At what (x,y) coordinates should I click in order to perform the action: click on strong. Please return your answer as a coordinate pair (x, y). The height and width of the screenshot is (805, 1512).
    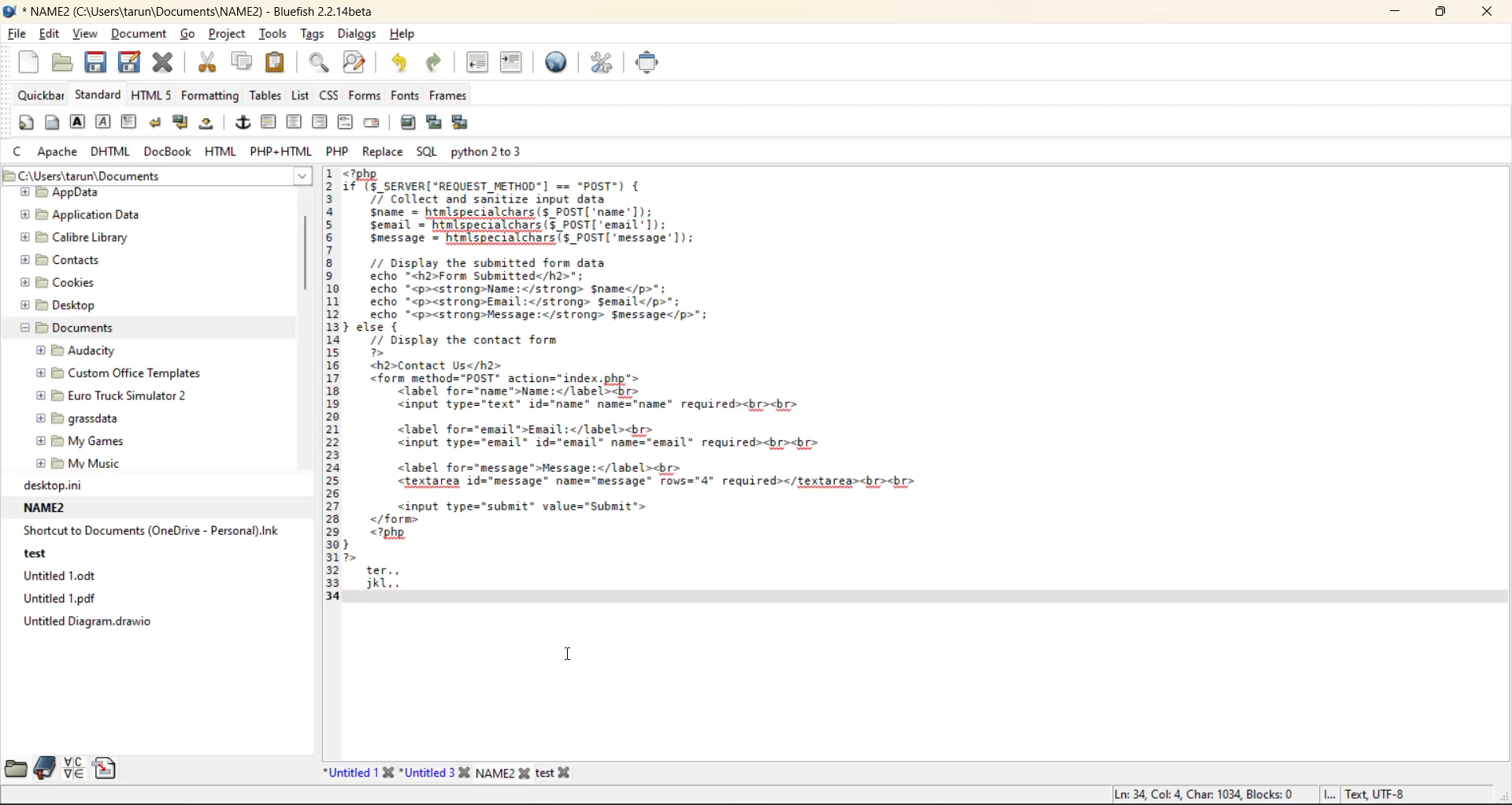
    Looking at the image, I should click on (80, 123).